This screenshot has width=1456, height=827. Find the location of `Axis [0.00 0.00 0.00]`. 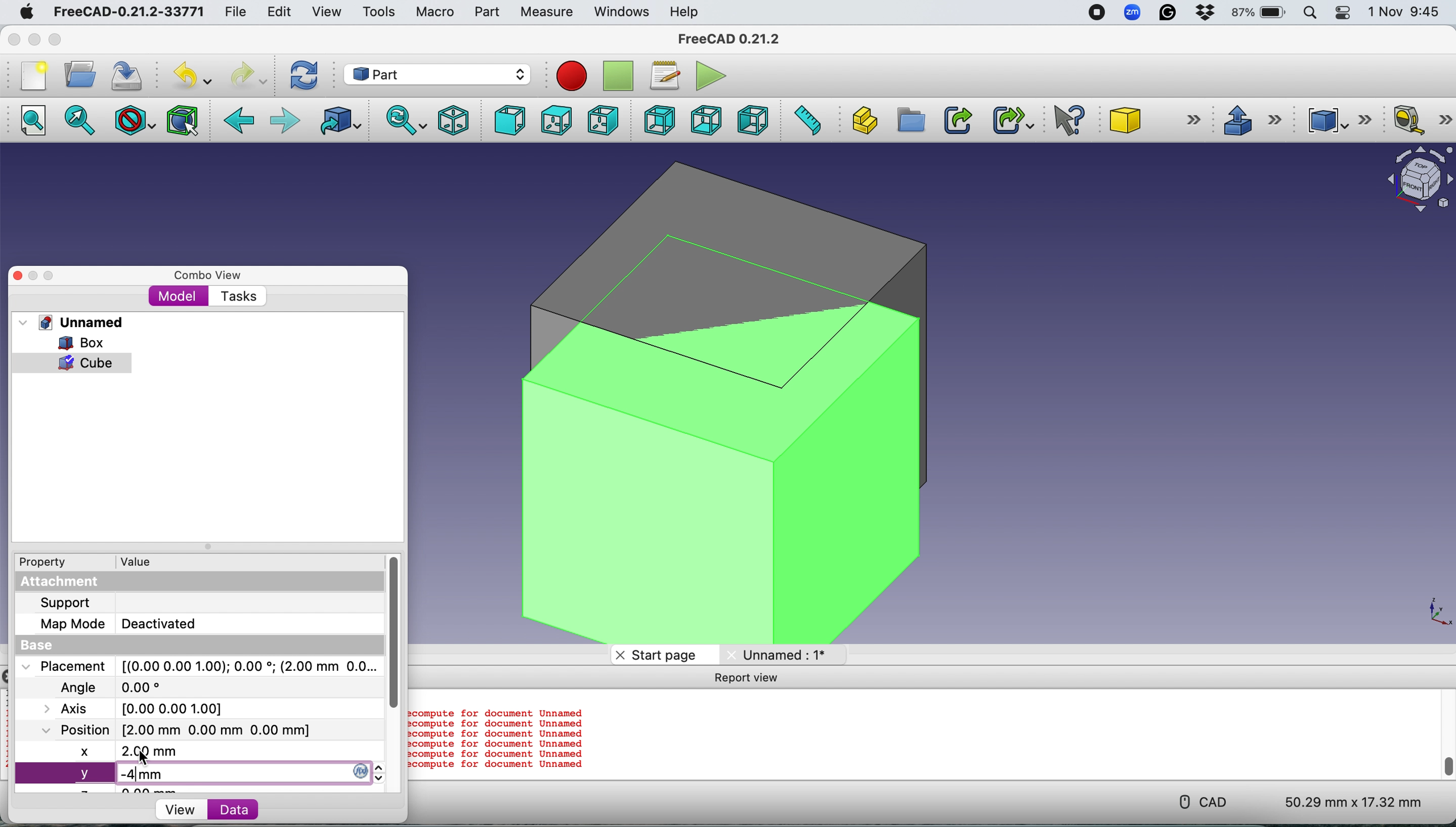

Axis [0.00 0.00 0.00] is located at coordinates (143, 708).